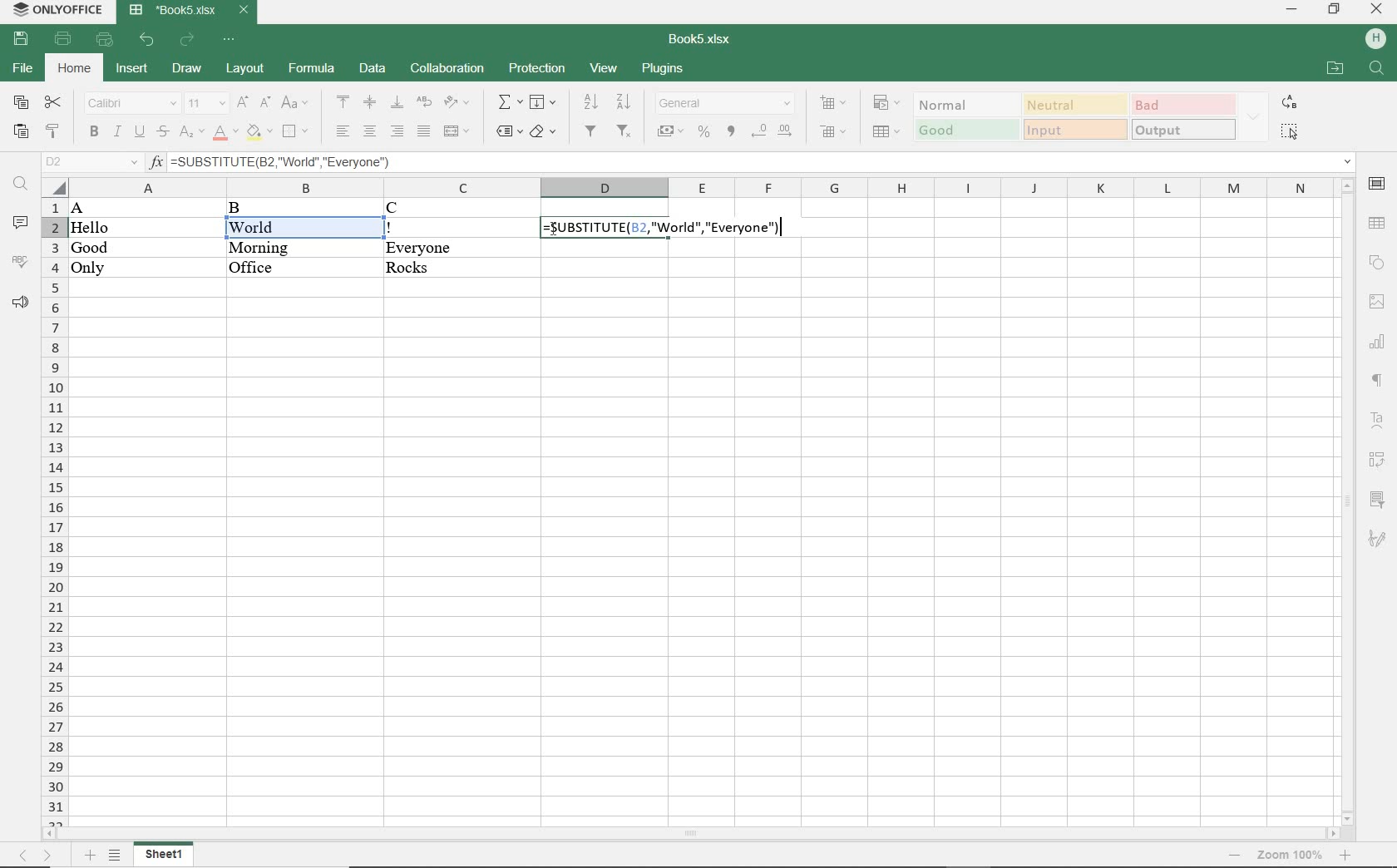  I want to click on rows, so click(52, 510).